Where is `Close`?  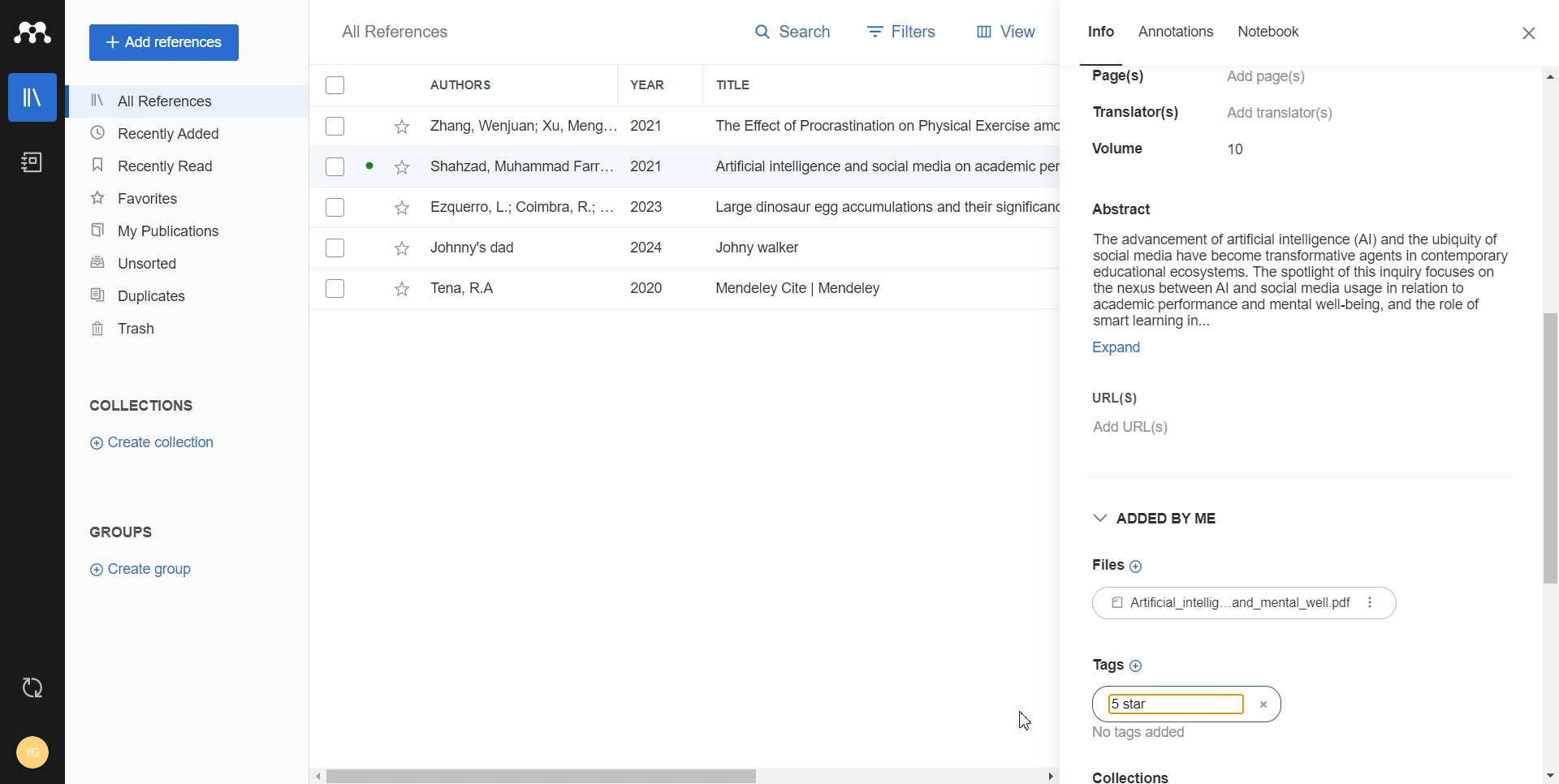 Close is located at coordinates (1531, 32).